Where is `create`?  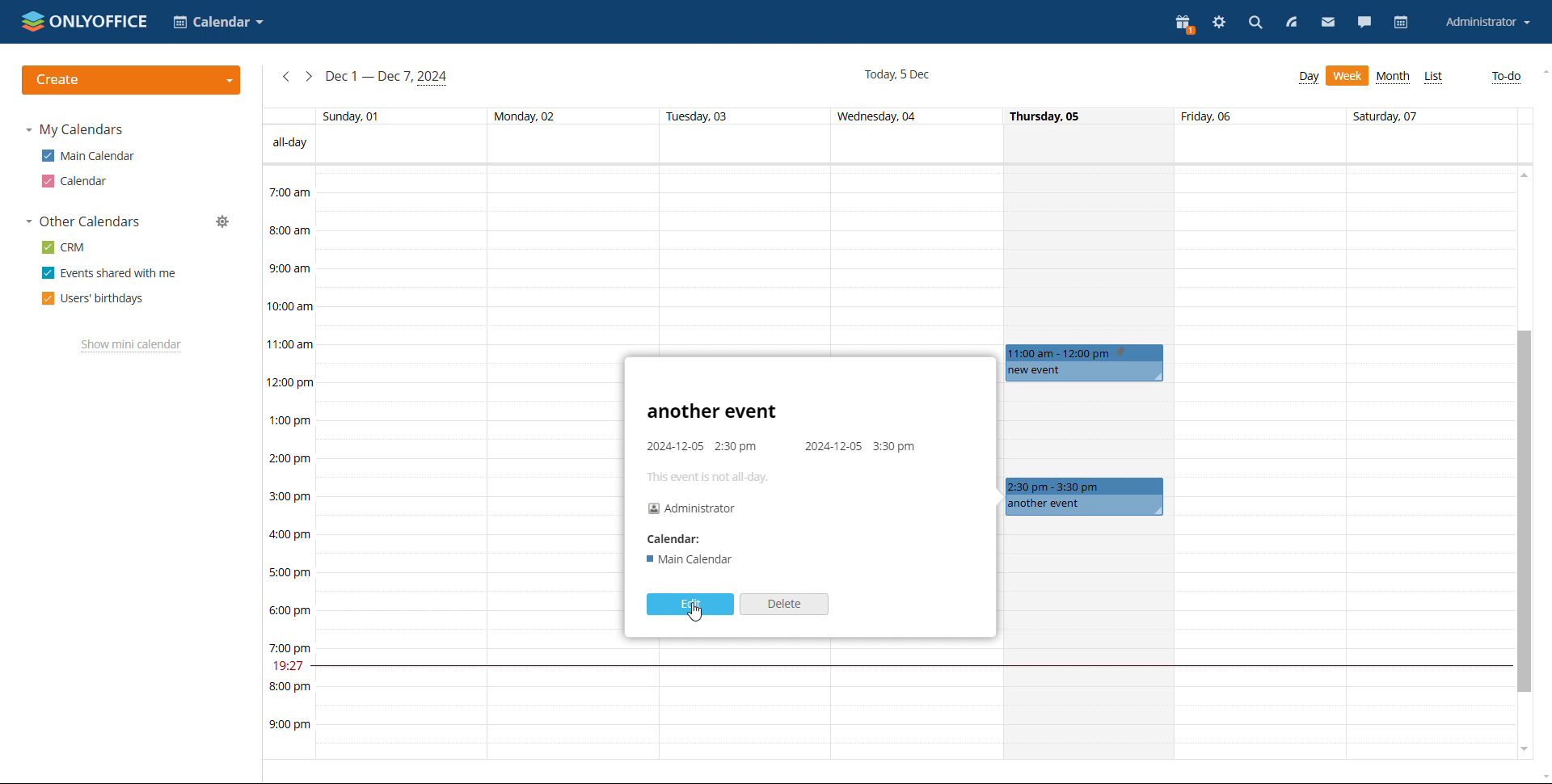
create is located at coordinates (132, 80).